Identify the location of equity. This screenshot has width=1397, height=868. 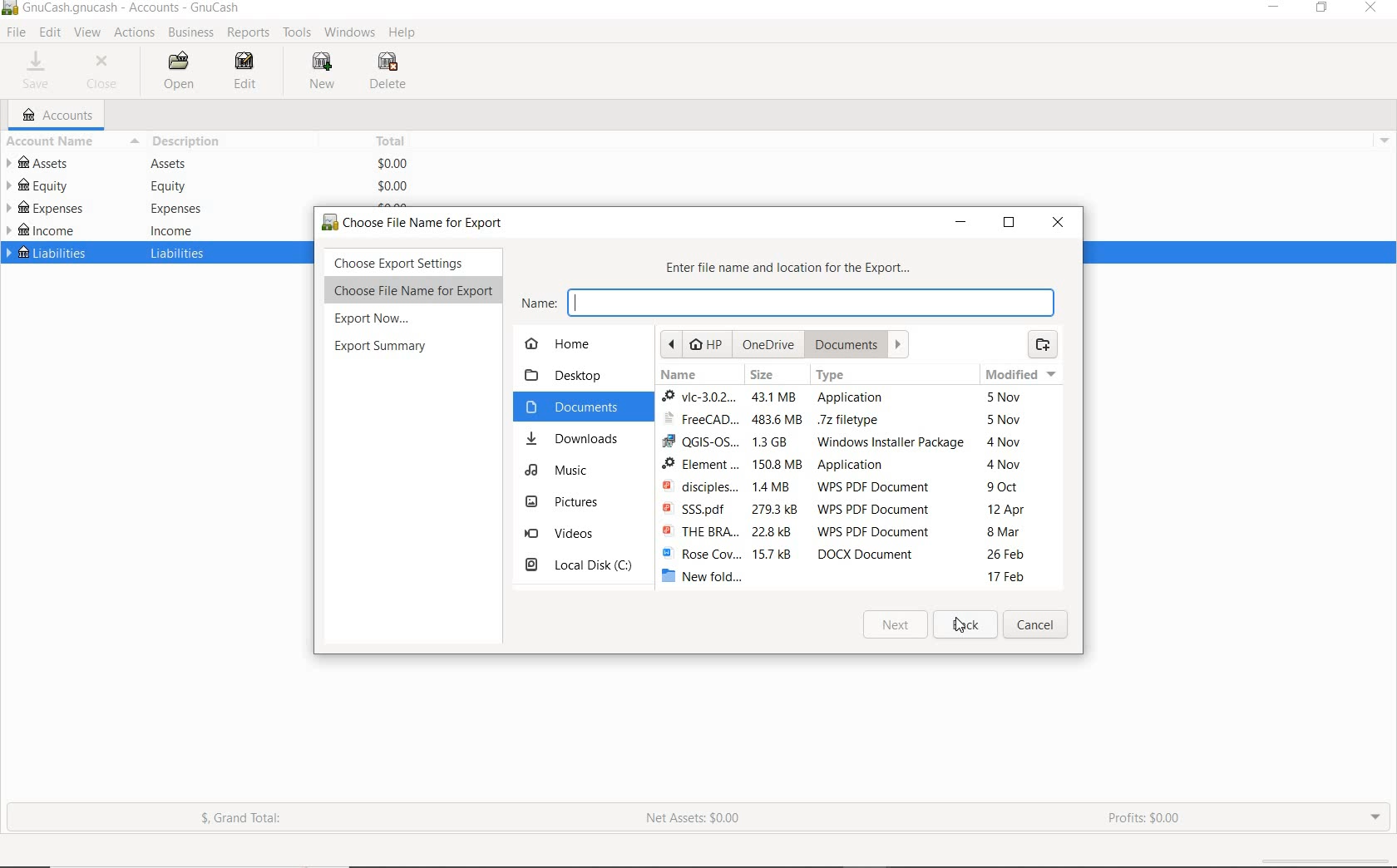
(165, 187).